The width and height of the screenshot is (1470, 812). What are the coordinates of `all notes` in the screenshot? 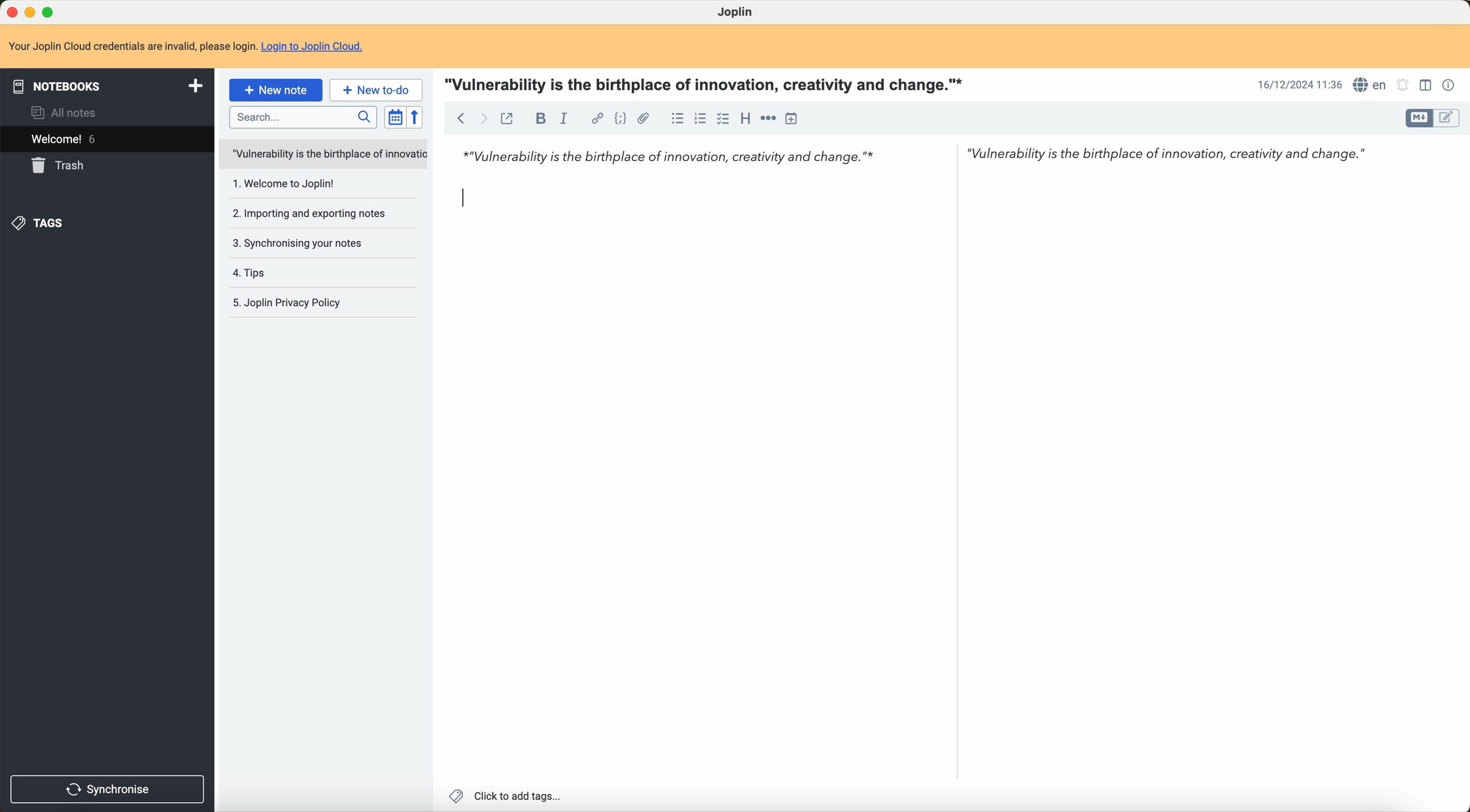 It's located at (64, 114).